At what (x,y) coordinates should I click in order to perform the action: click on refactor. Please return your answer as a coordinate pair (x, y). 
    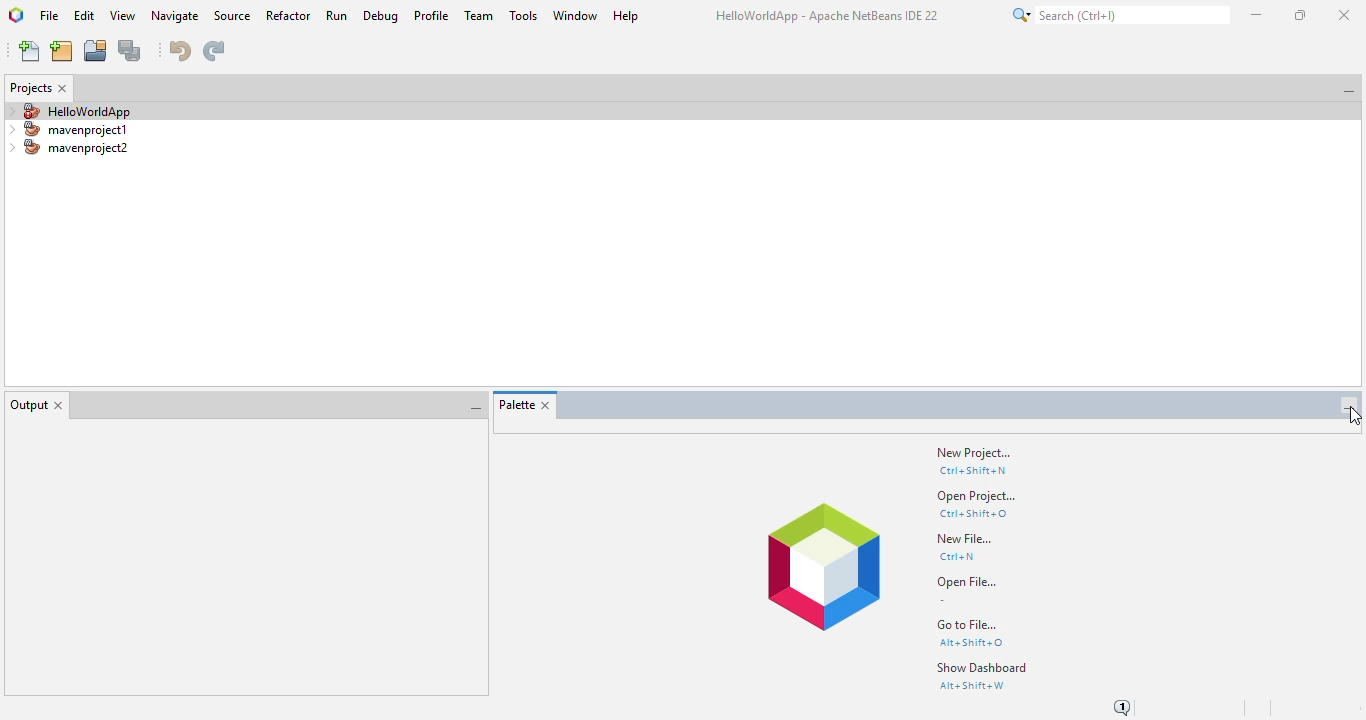
    Looking at the image, I should click on (289, 16).